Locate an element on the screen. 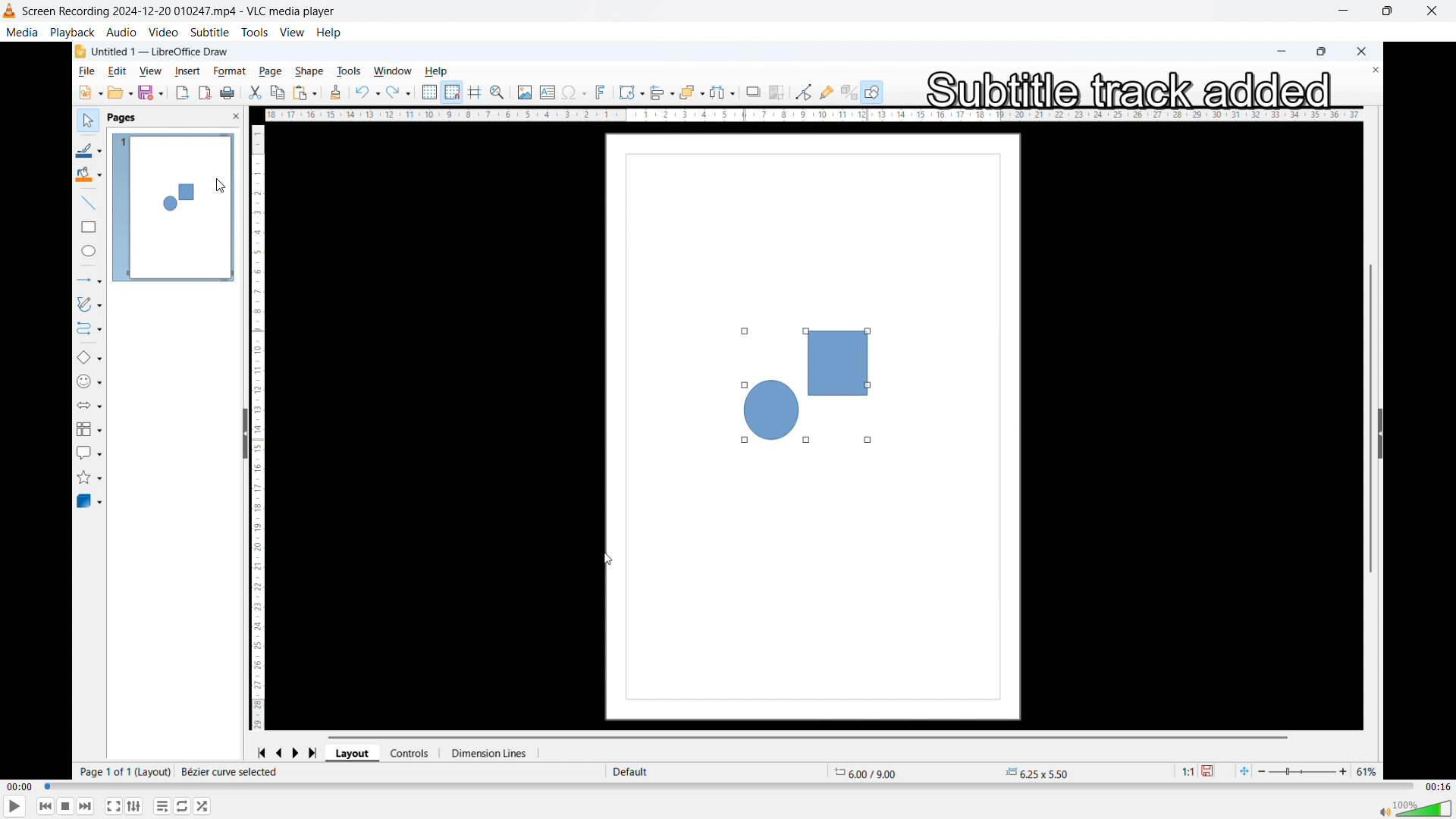 This screenshot has width=1456, height=819. zoom is located at coordinates (1321, 769).